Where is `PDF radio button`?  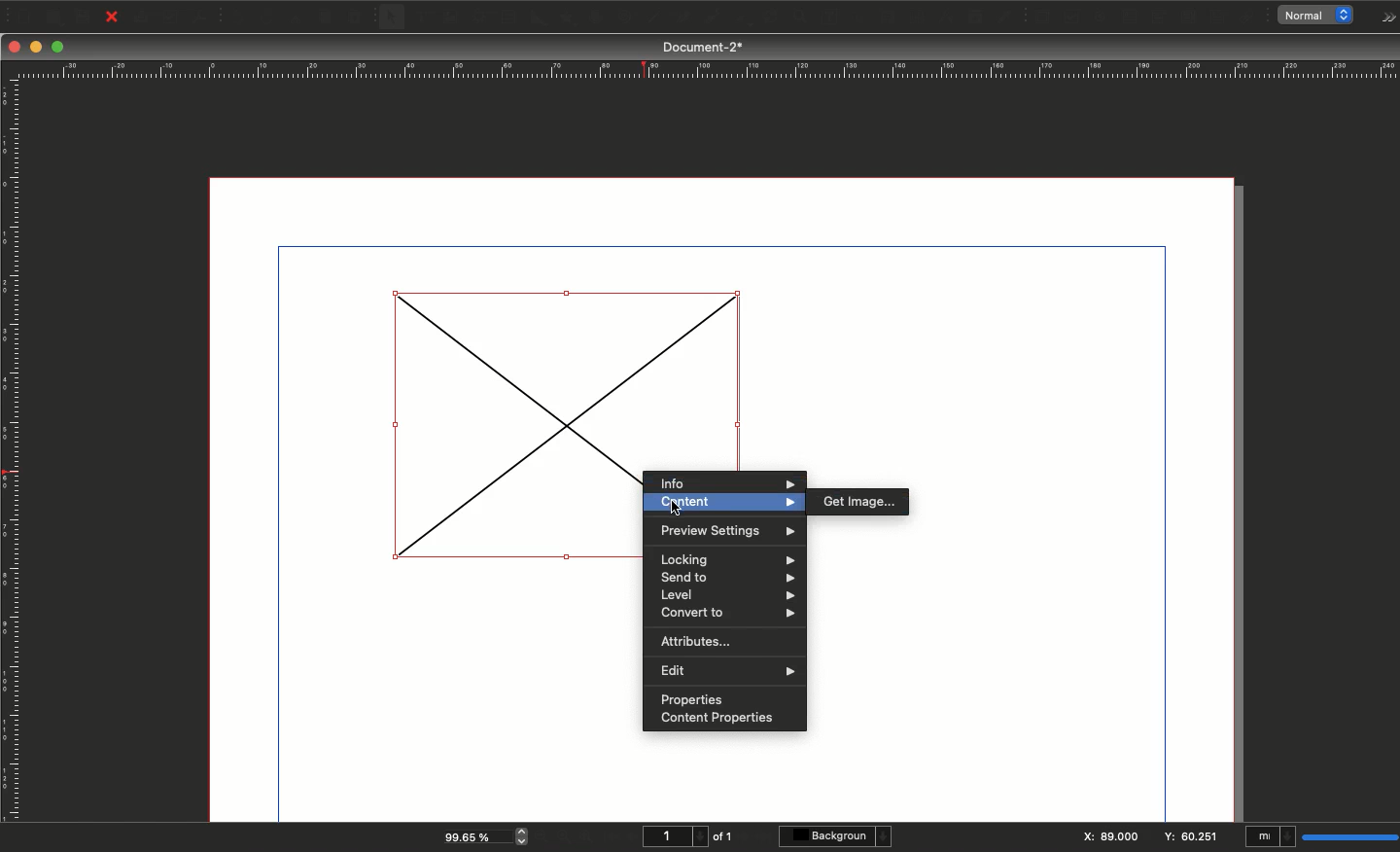 PDF radio button is located at coordinates (1102, 18).